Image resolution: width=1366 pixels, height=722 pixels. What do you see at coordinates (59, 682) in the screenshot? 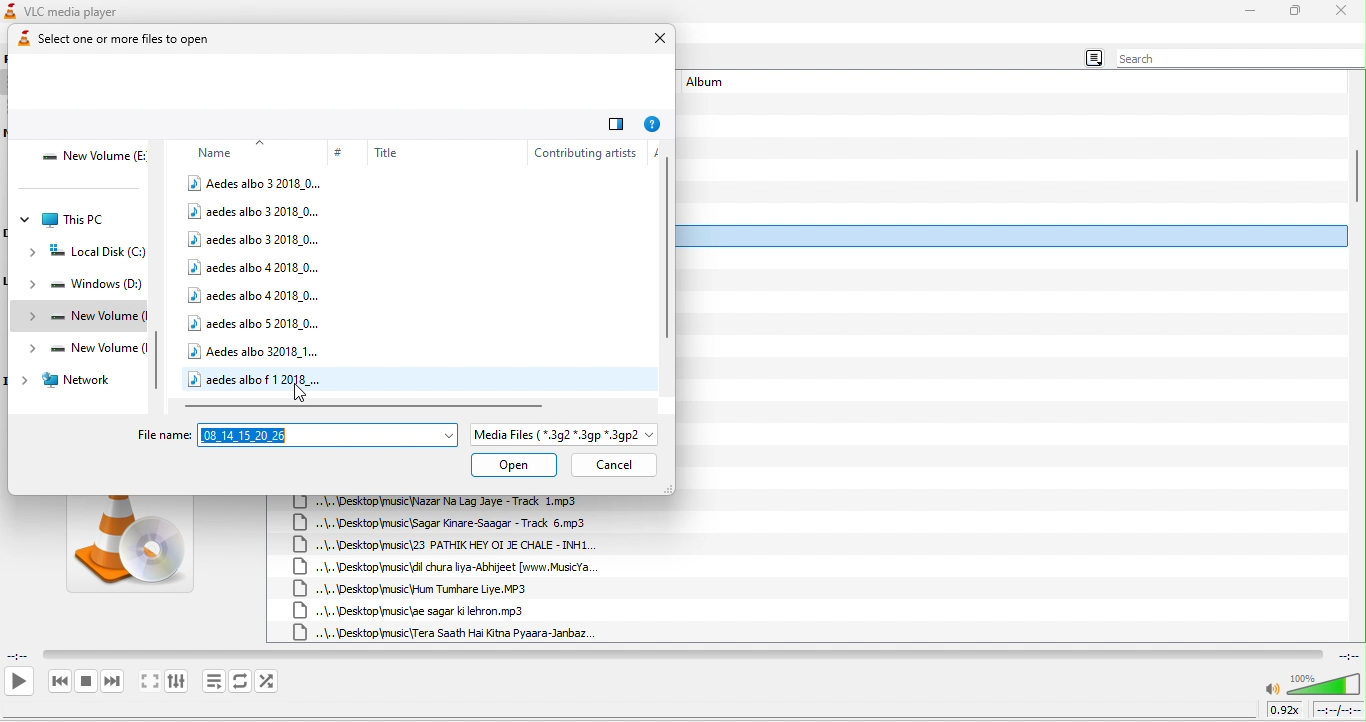
I see `previous media` at bounding box center [59, 682].